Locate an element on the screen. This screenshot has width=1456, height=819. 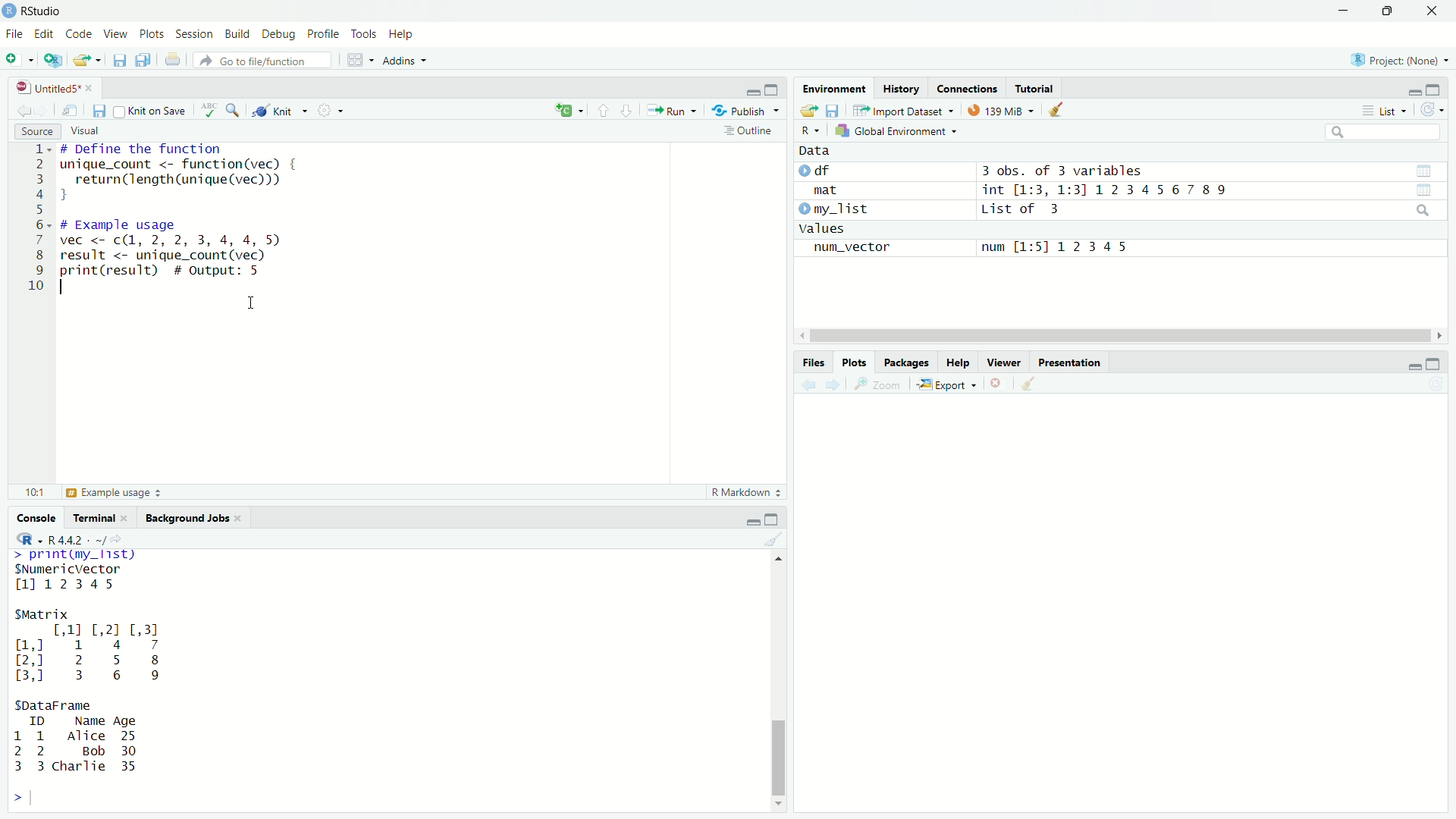
Presentation is located at coordinates (1072, 362).